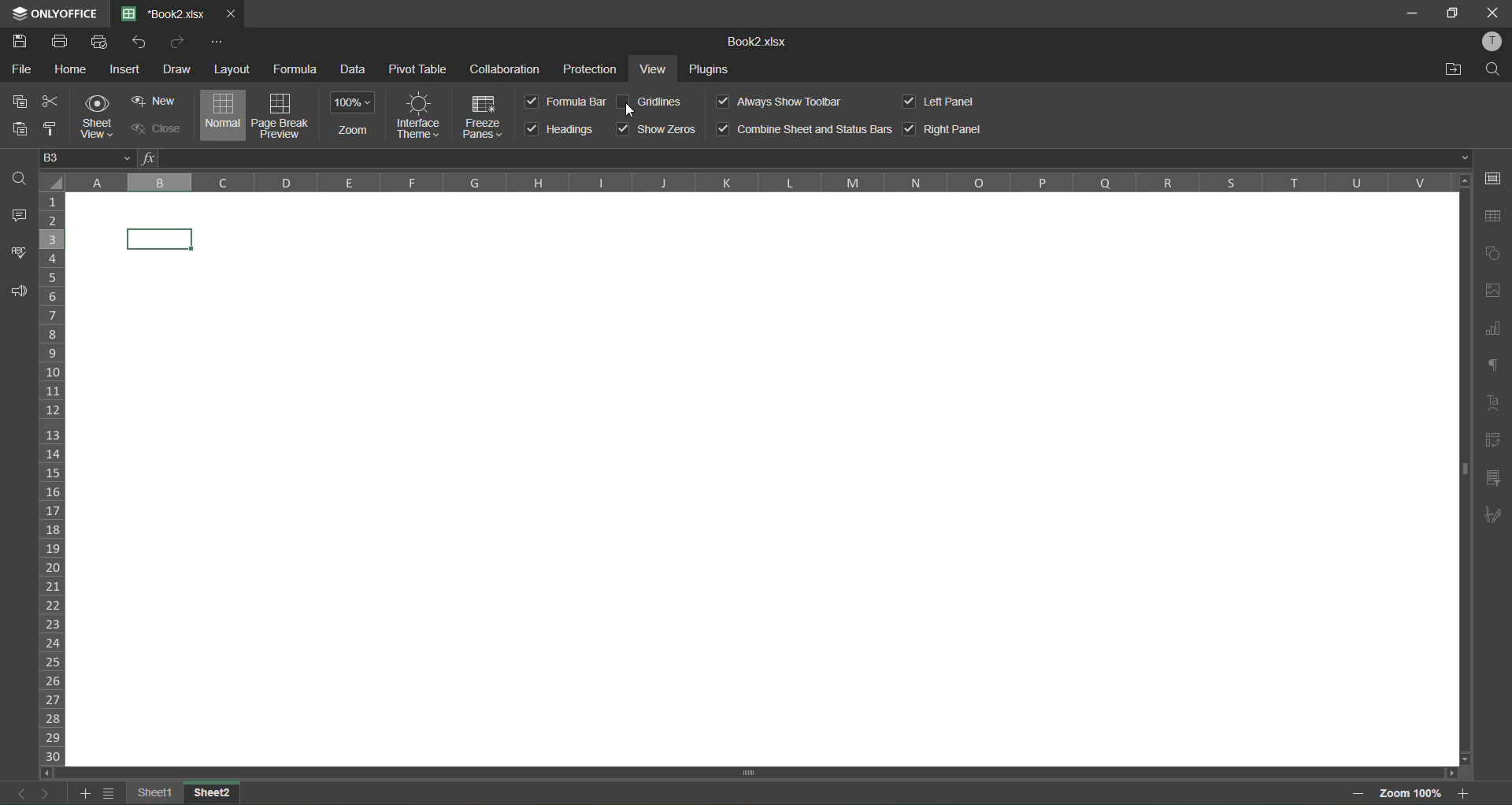  I want to click on sheet 1, so click(156, 793).